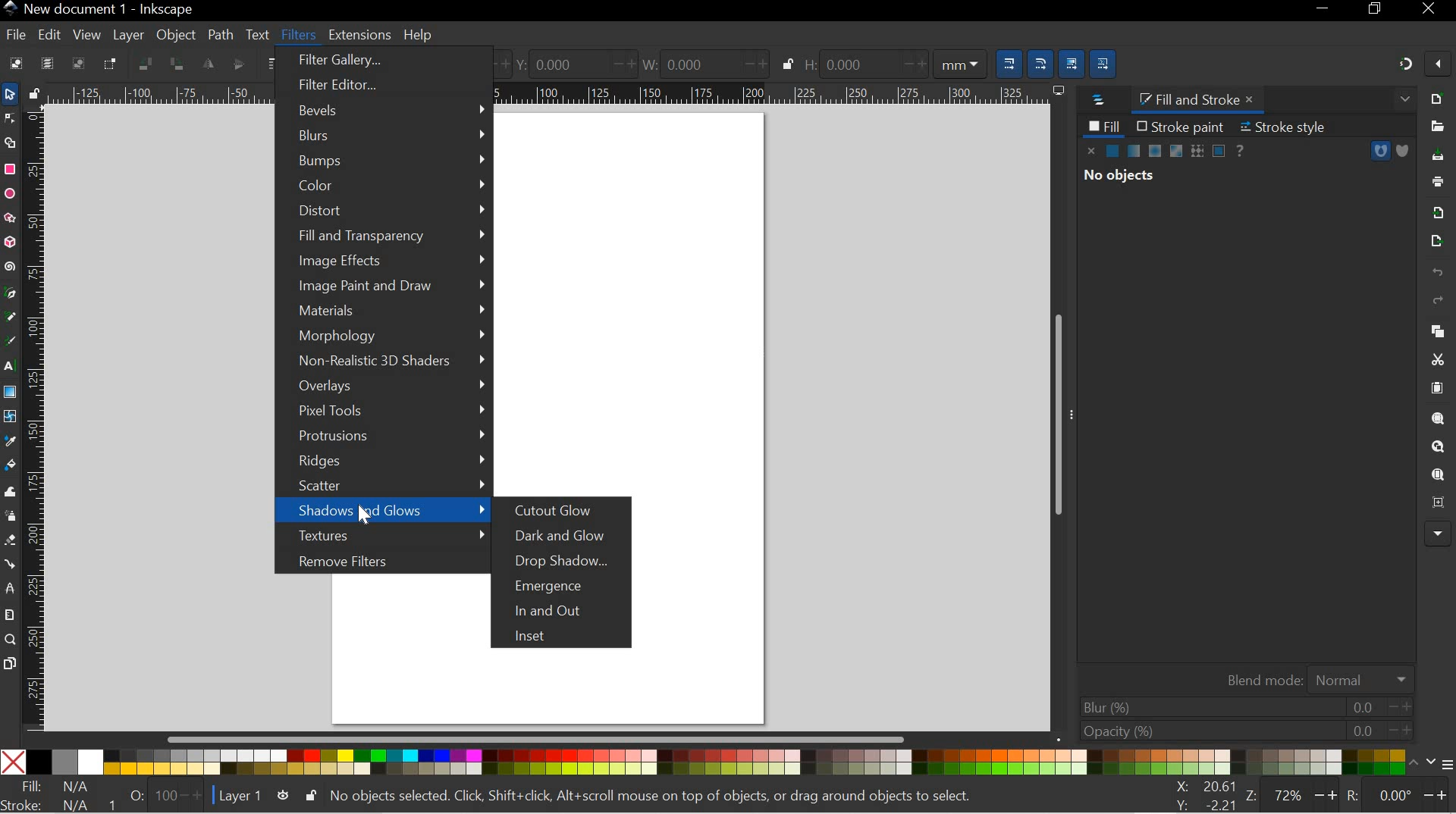 Image resolution: width=1456 pixels, height=814 pixels. I want to click on SELECT ALL OBJECTS, so click(14, 63).